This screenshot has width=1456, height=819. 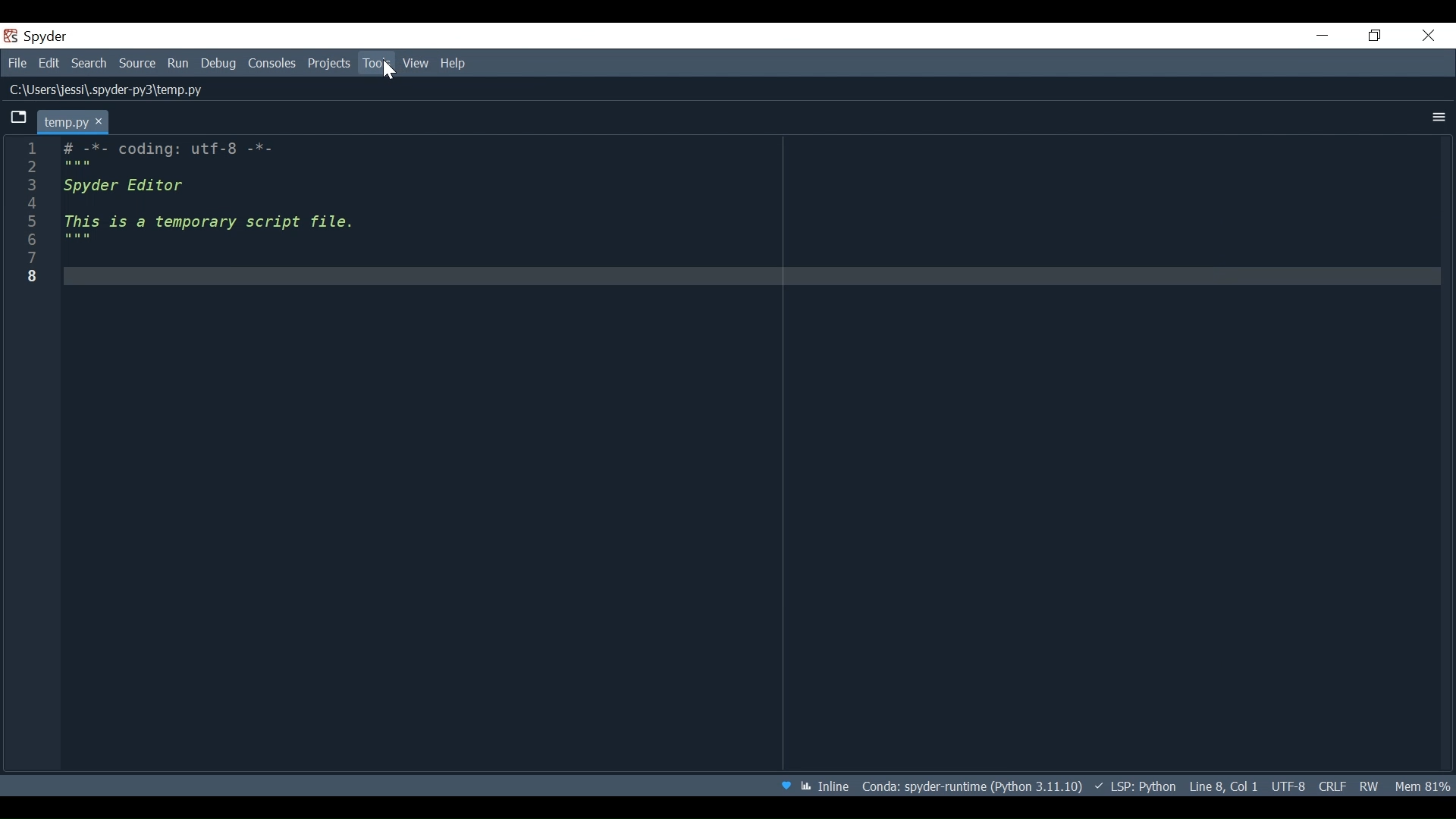 What do you see at coordinates (1323, 35) in the screenshot?
I see `Minimize` at bounding box center [1323, 35].